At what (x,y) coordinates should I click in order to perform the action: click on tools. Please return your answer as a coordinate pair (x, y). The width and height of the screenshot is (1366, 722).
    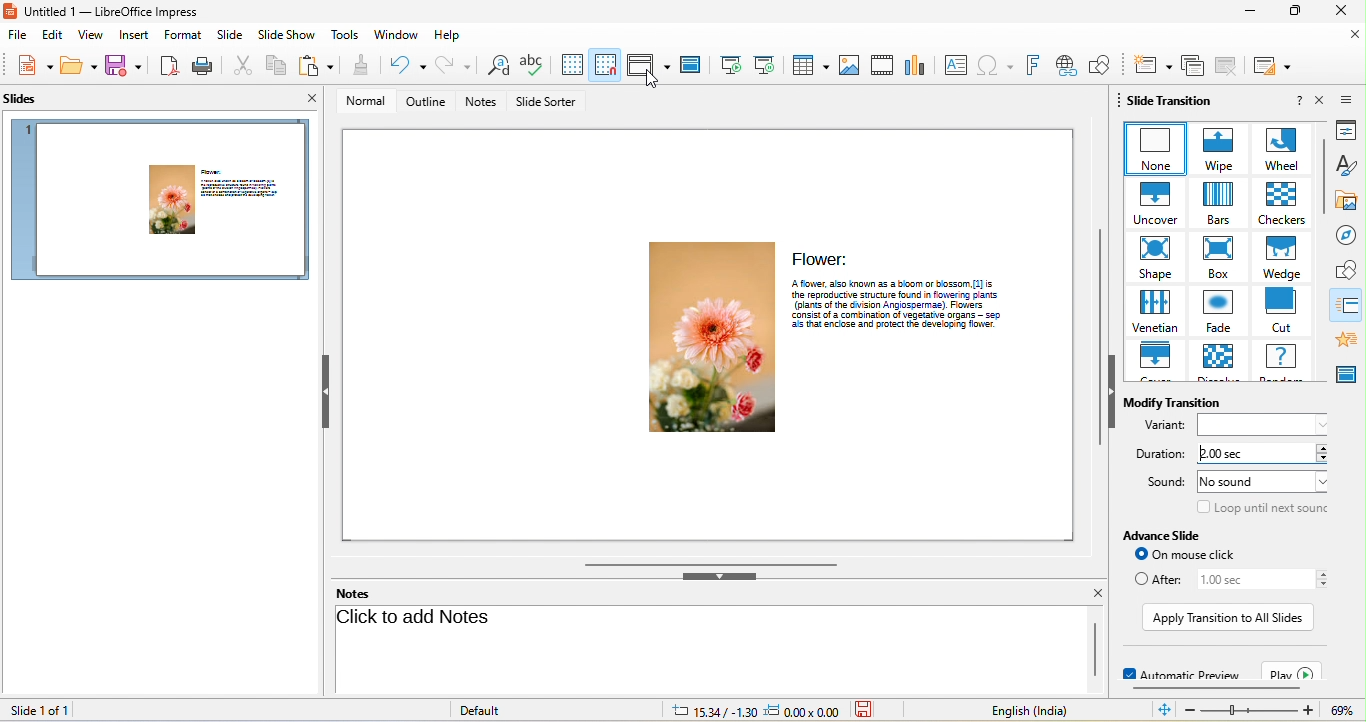
    Looking at the image, I should click on (344, 34).